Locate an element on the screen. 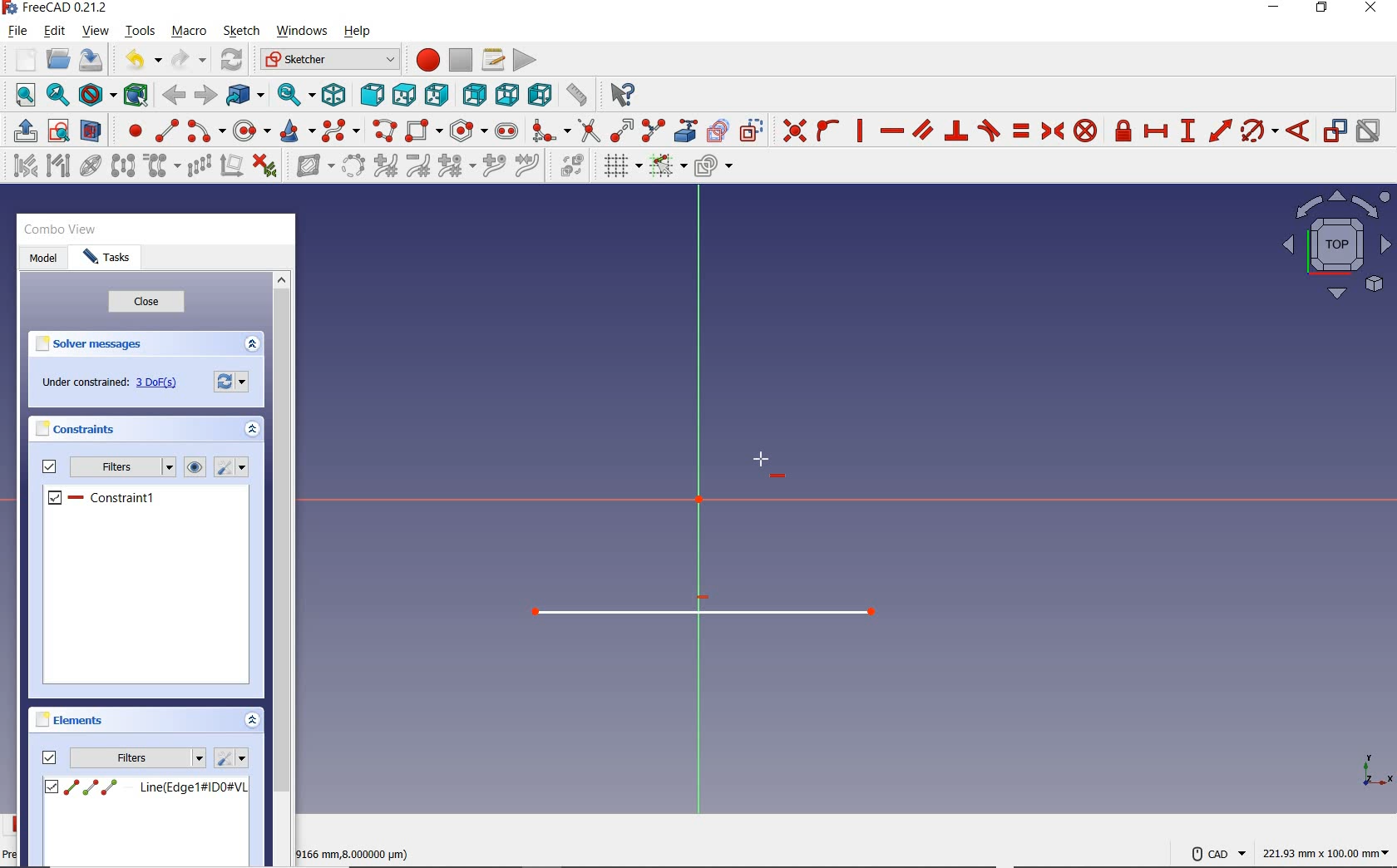 The image size is (1397, 868). Horizontal contraint is located at coordinates (103, 500).